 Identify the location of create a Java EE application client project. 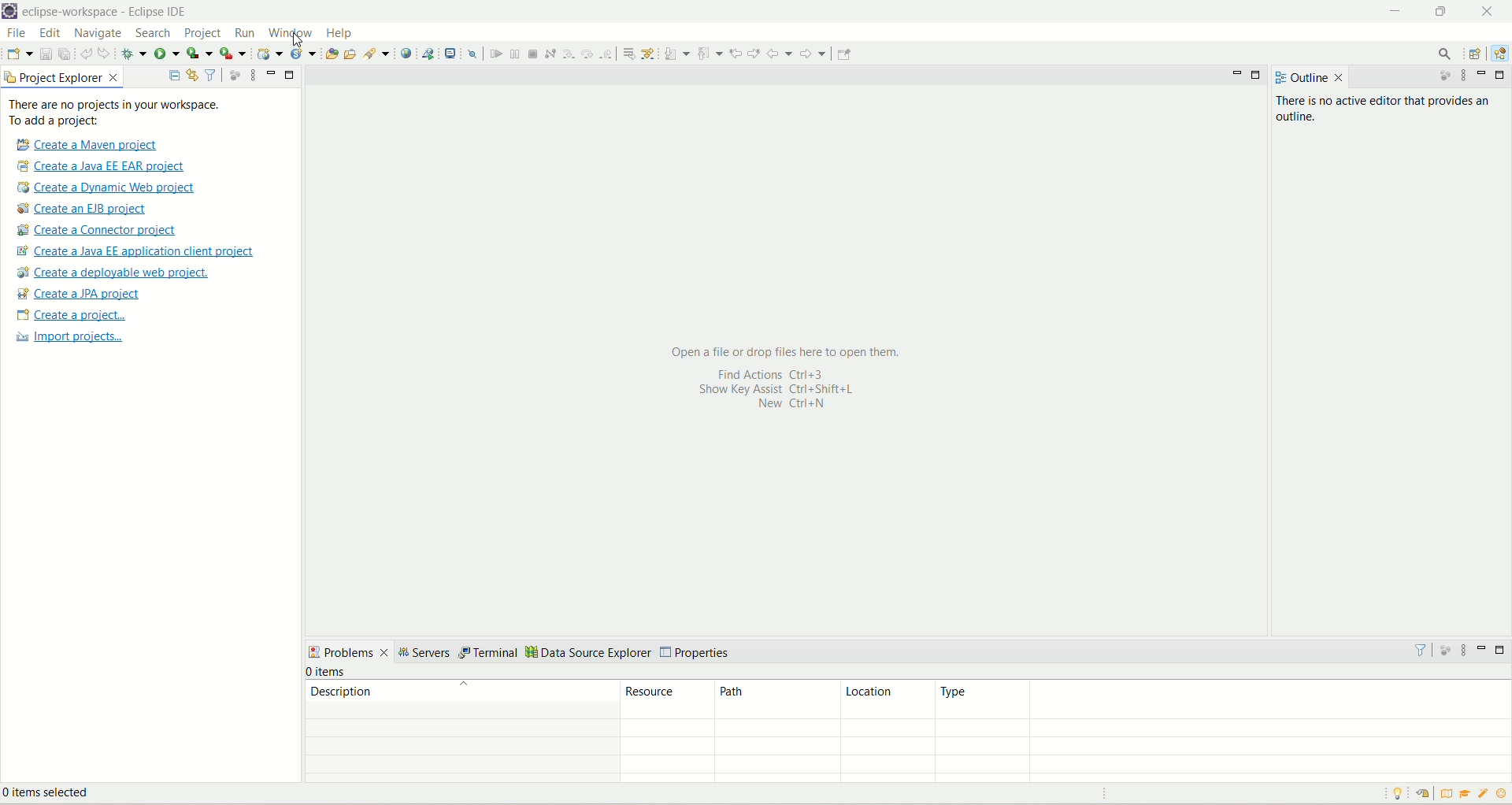
(135, 253).